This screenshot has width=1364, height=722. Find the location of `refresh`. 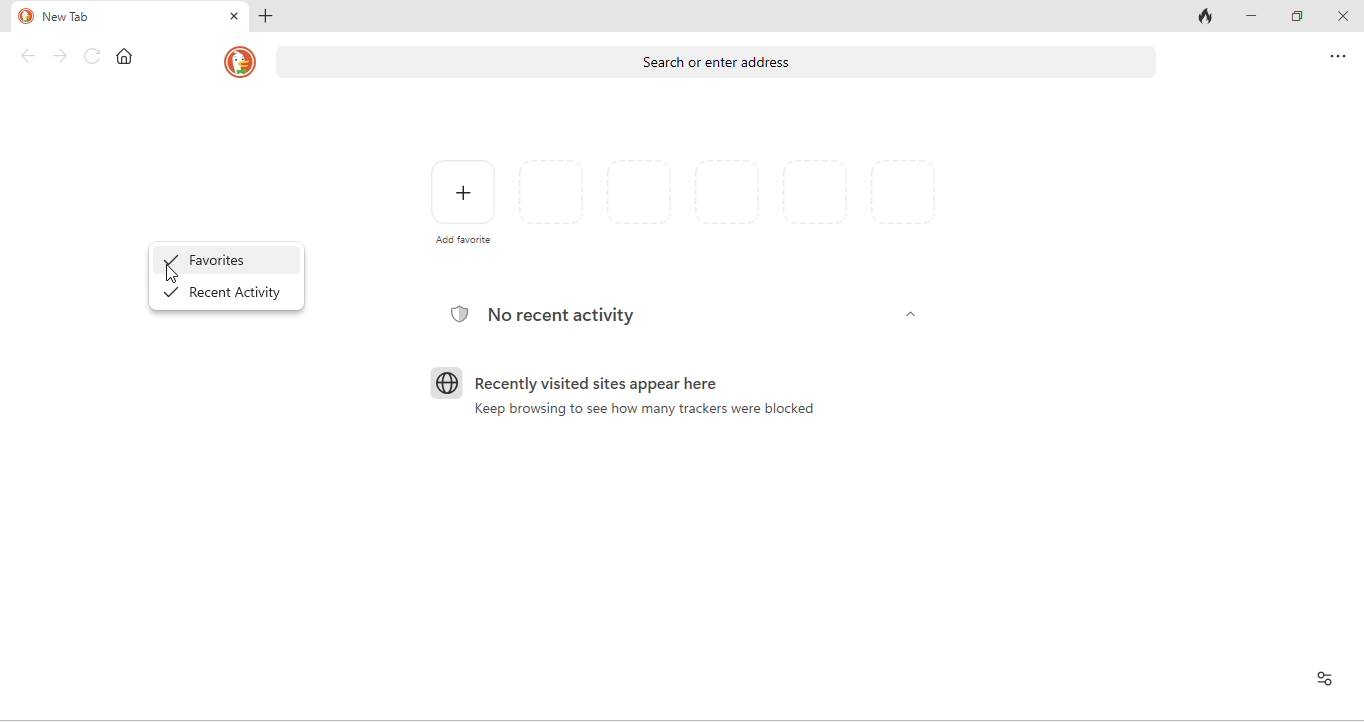

refresh is located at coordinates (94, 57).